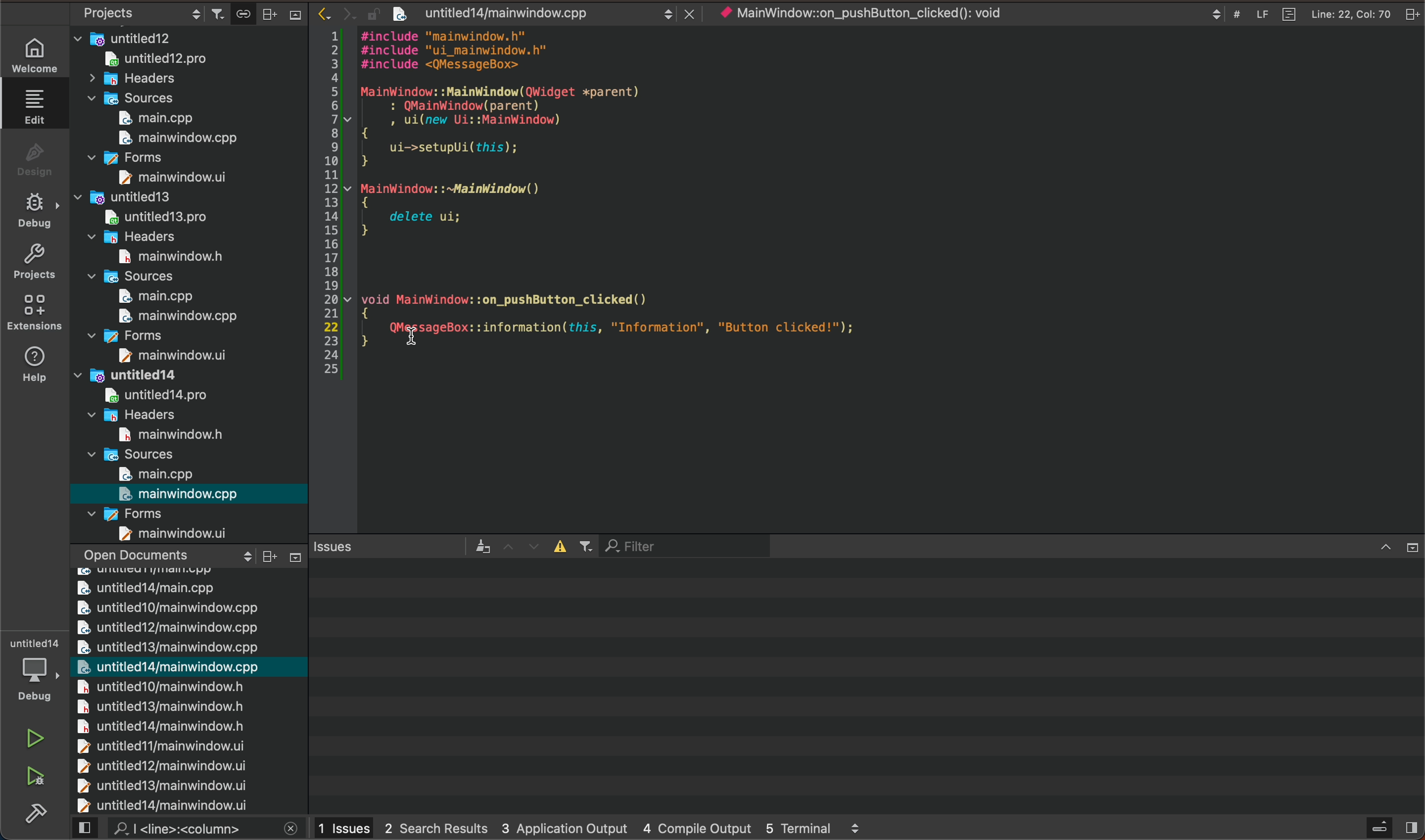  What do you see at coordinates (591, 828) in the screenshot?
I see `logs` at bounding box center [591, 828].